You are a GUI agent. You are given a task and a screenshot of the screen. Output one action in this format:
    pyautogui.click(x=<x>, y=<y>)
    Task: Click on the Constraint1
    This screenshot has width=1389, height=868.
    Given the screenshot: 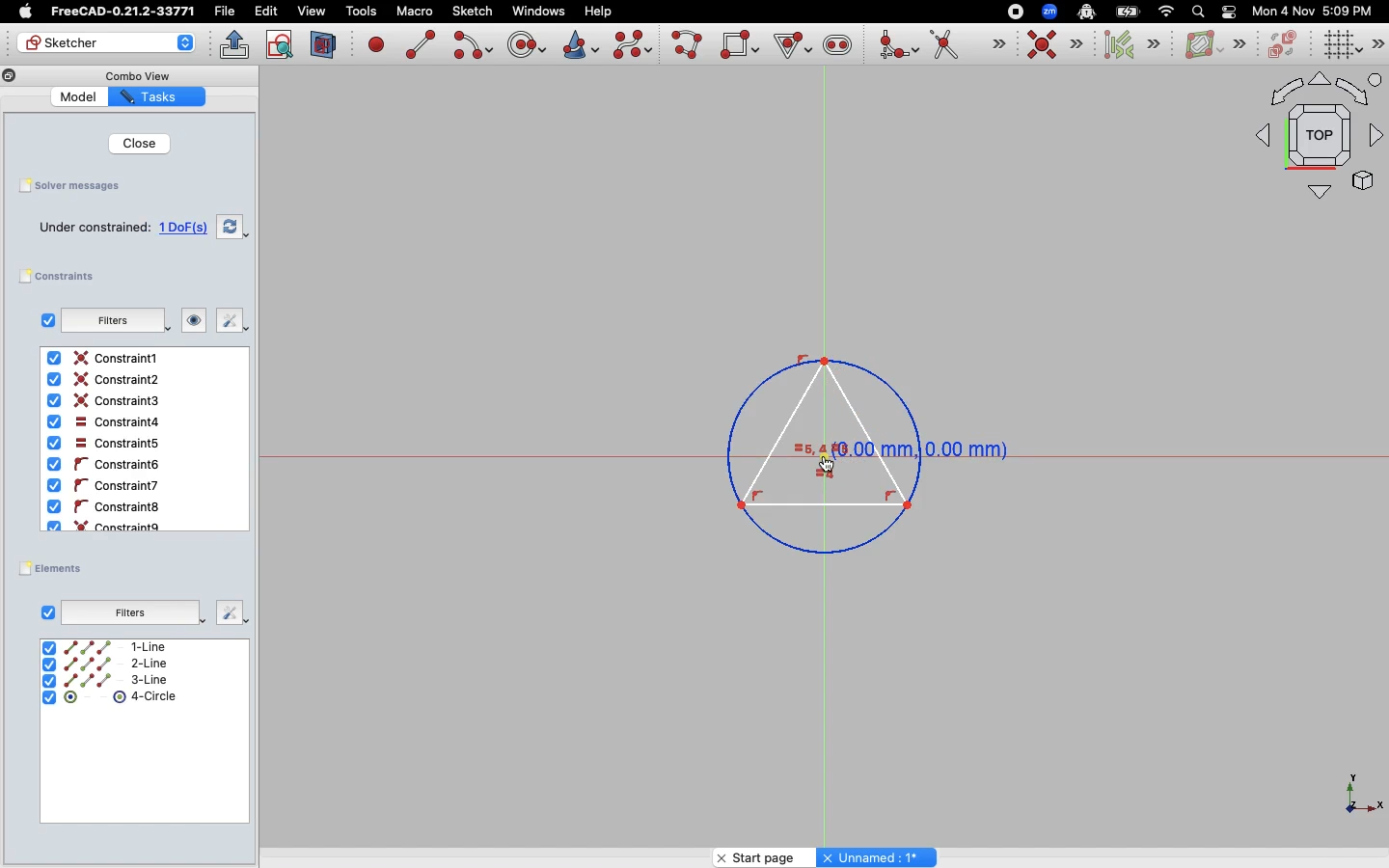 What is the action you would take?
    pyautogui.click(x=106, y=359)
    